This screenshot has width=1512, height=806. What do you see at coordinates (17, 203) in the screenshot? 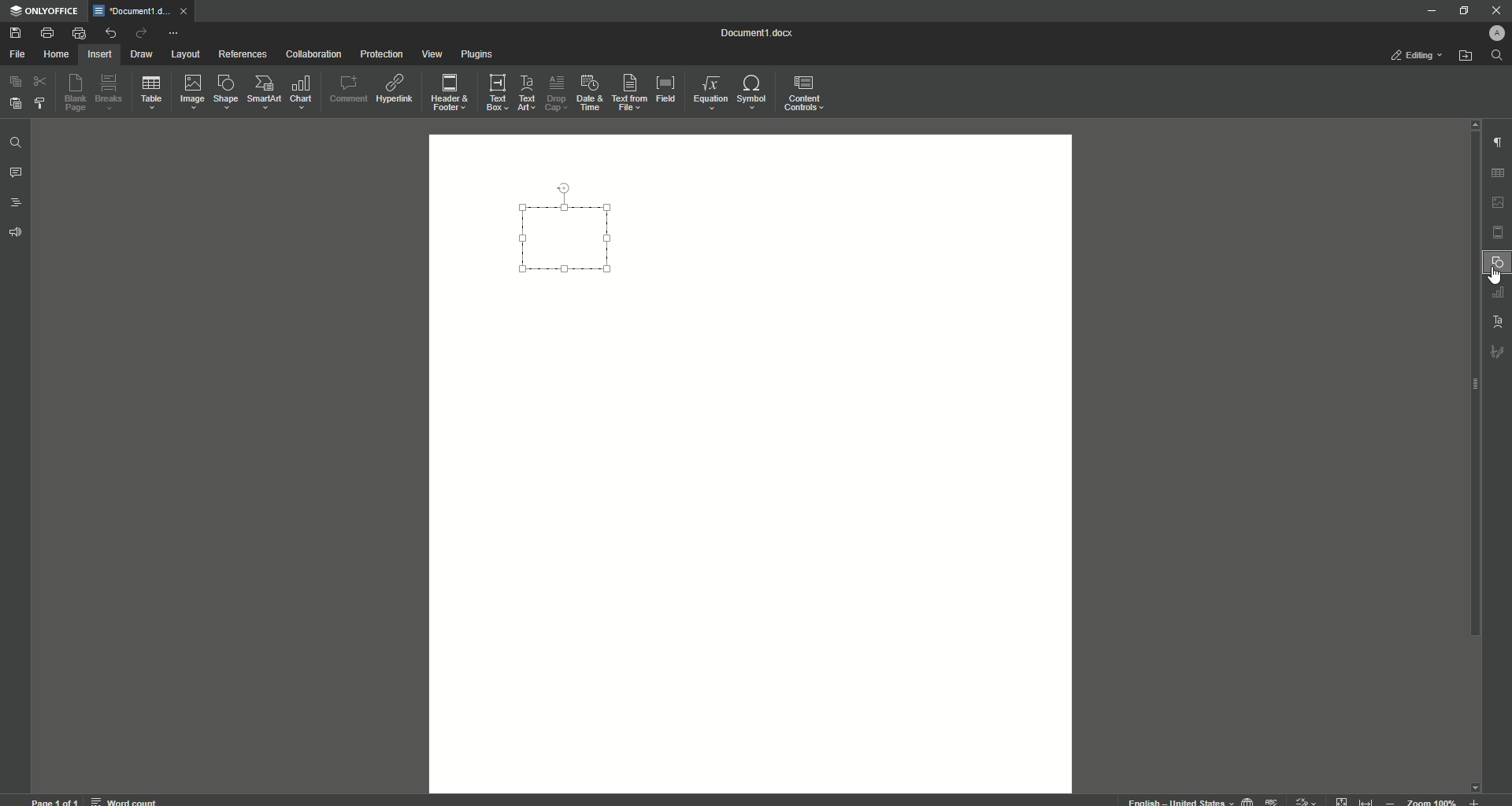
I see `Headings` at bounding box center [17, 203].